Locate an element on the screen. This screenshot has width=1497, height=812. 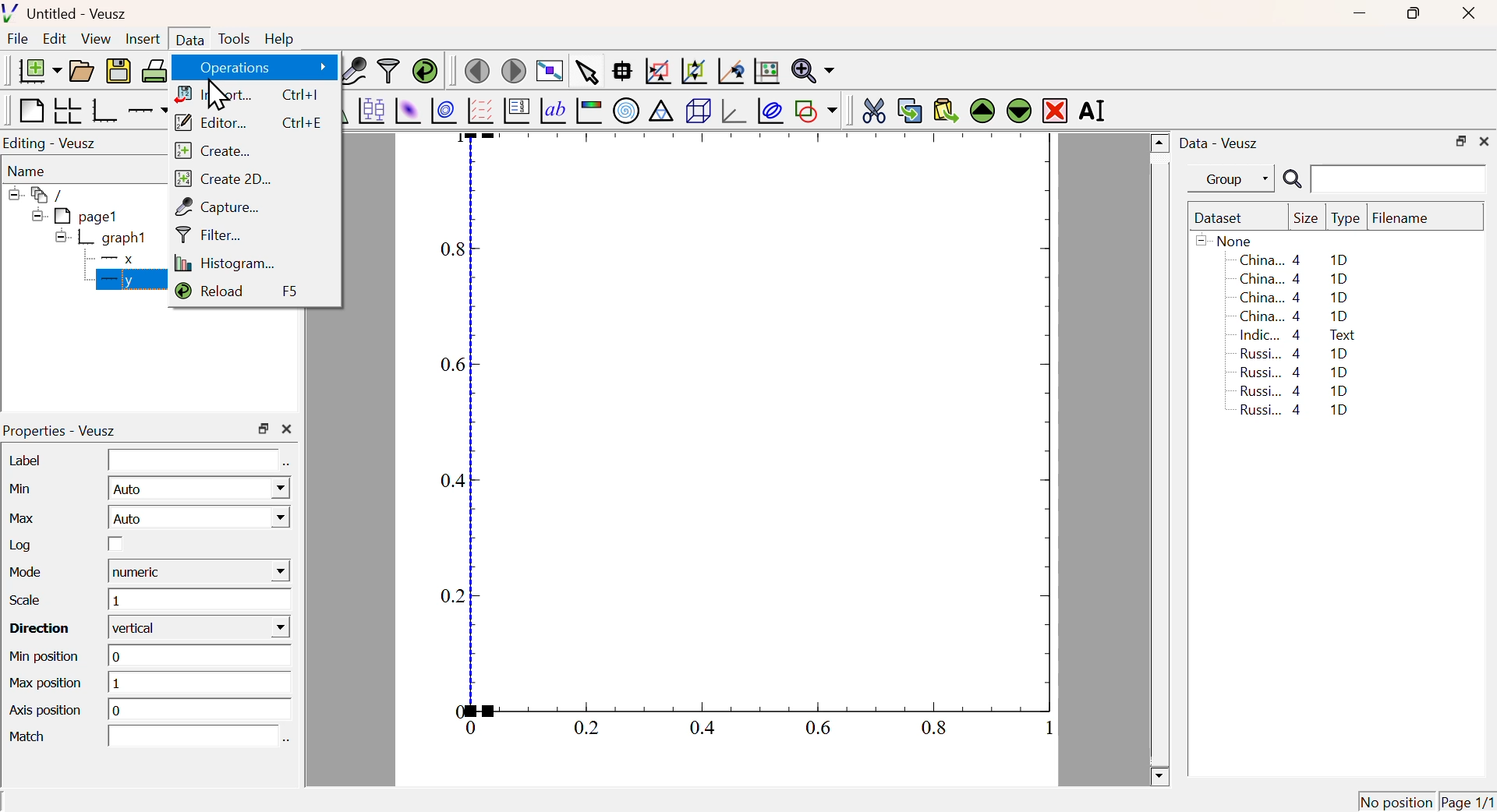
Plot Box Plots is located at coordinates (370, 110).